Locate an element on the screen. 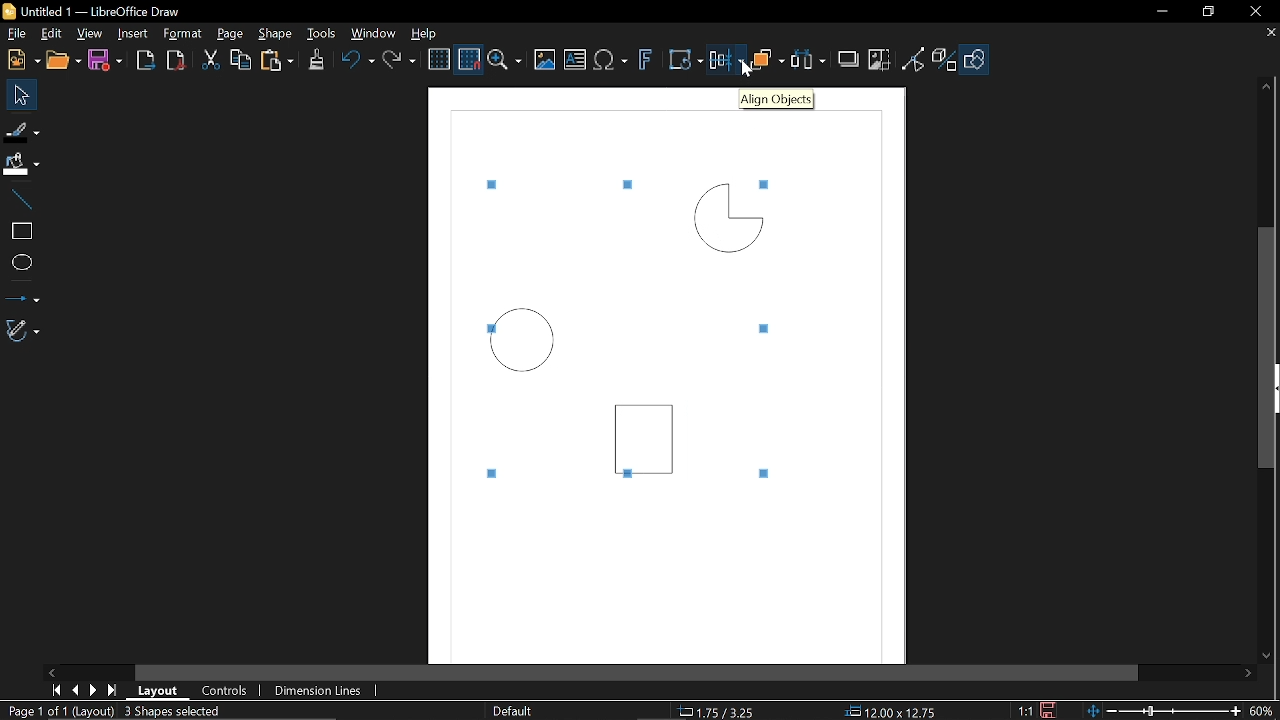  View is located at coordinates (90, 32).